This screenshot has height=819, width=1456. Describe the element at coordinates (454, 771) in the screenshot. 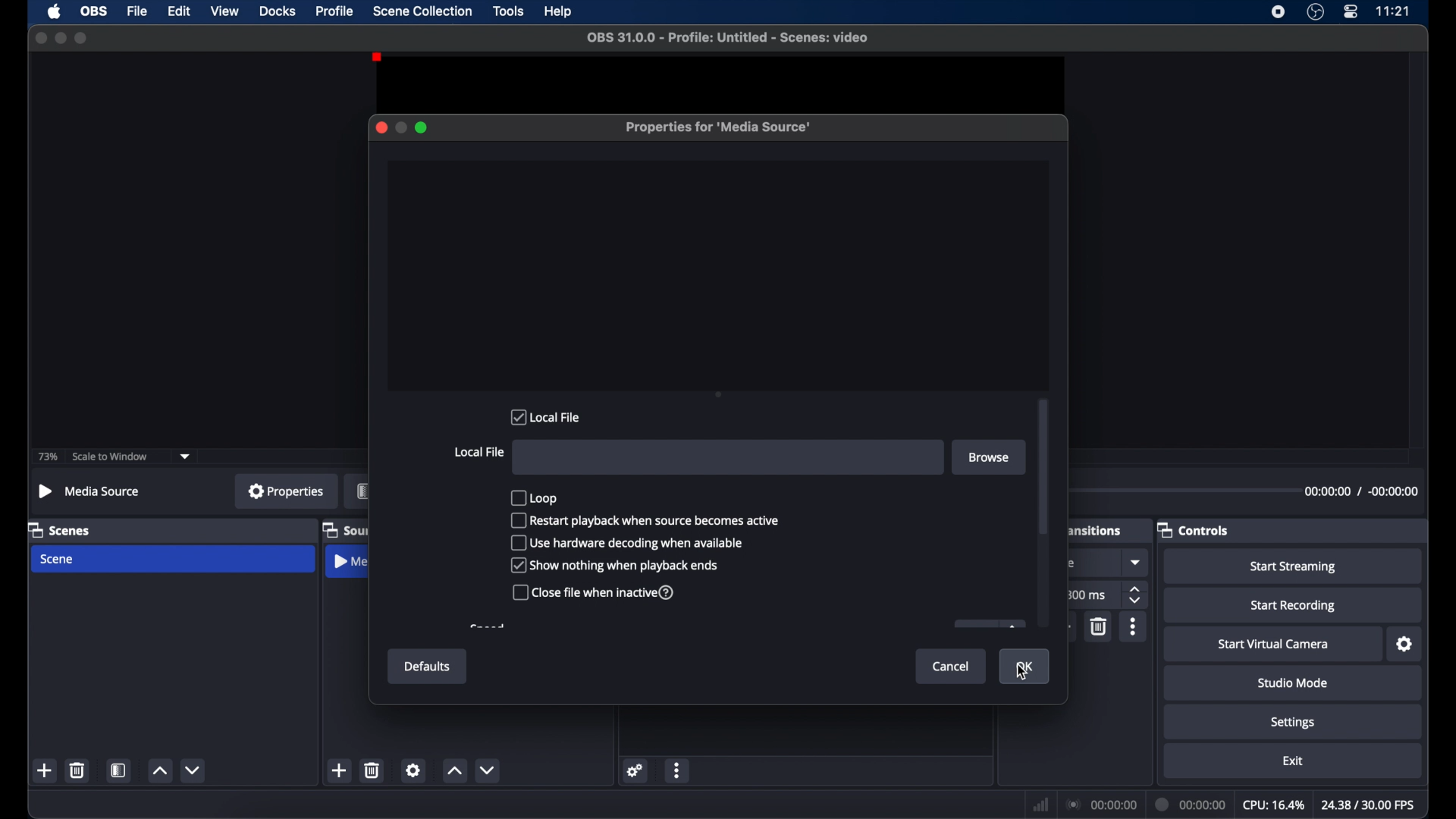

I see `increment` at that location.